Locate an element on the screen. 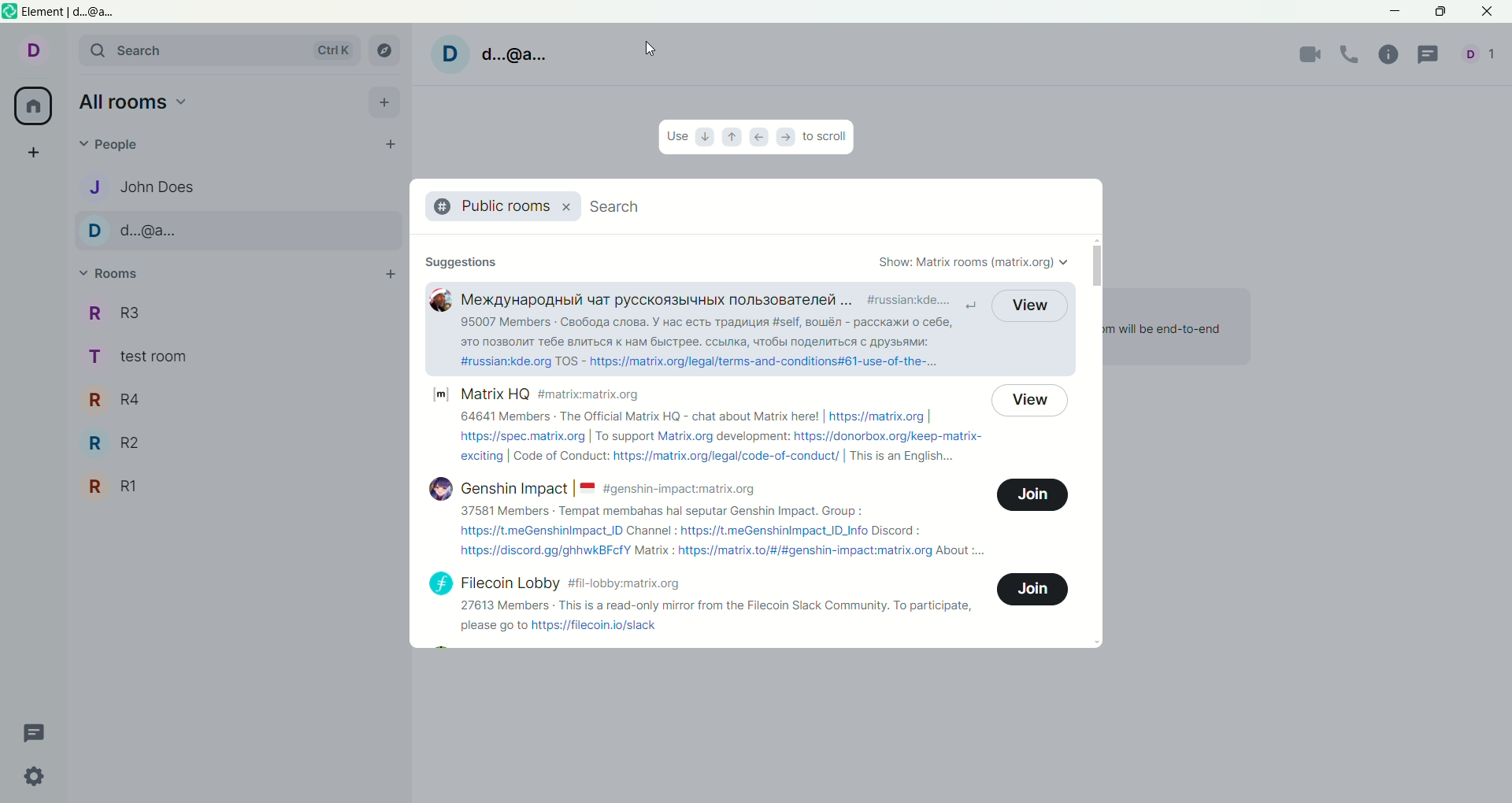 The image size is (1512, 803). R3 is located at coordinates (242, 315).